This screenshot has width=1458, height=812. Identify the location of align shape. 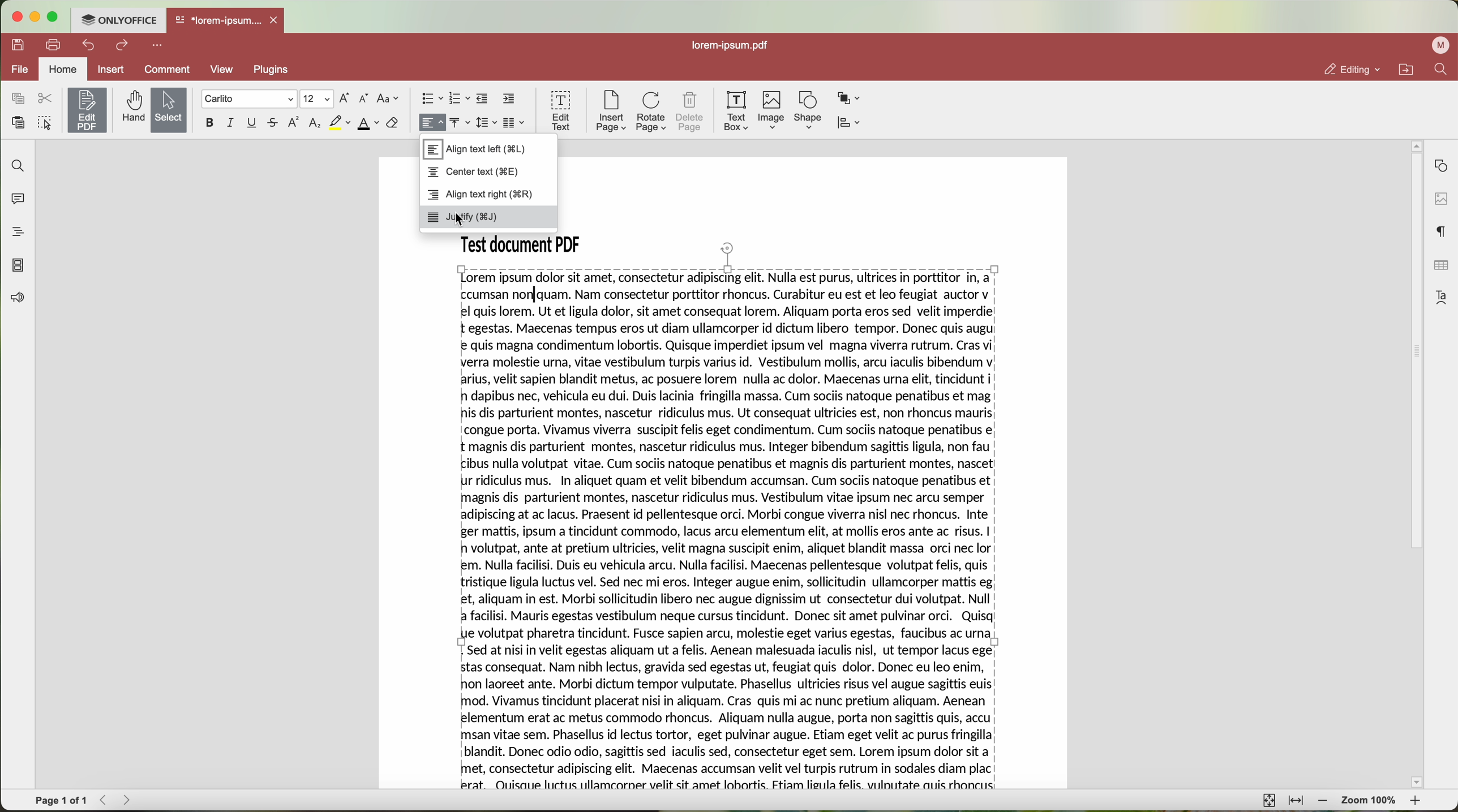
(851, 122).